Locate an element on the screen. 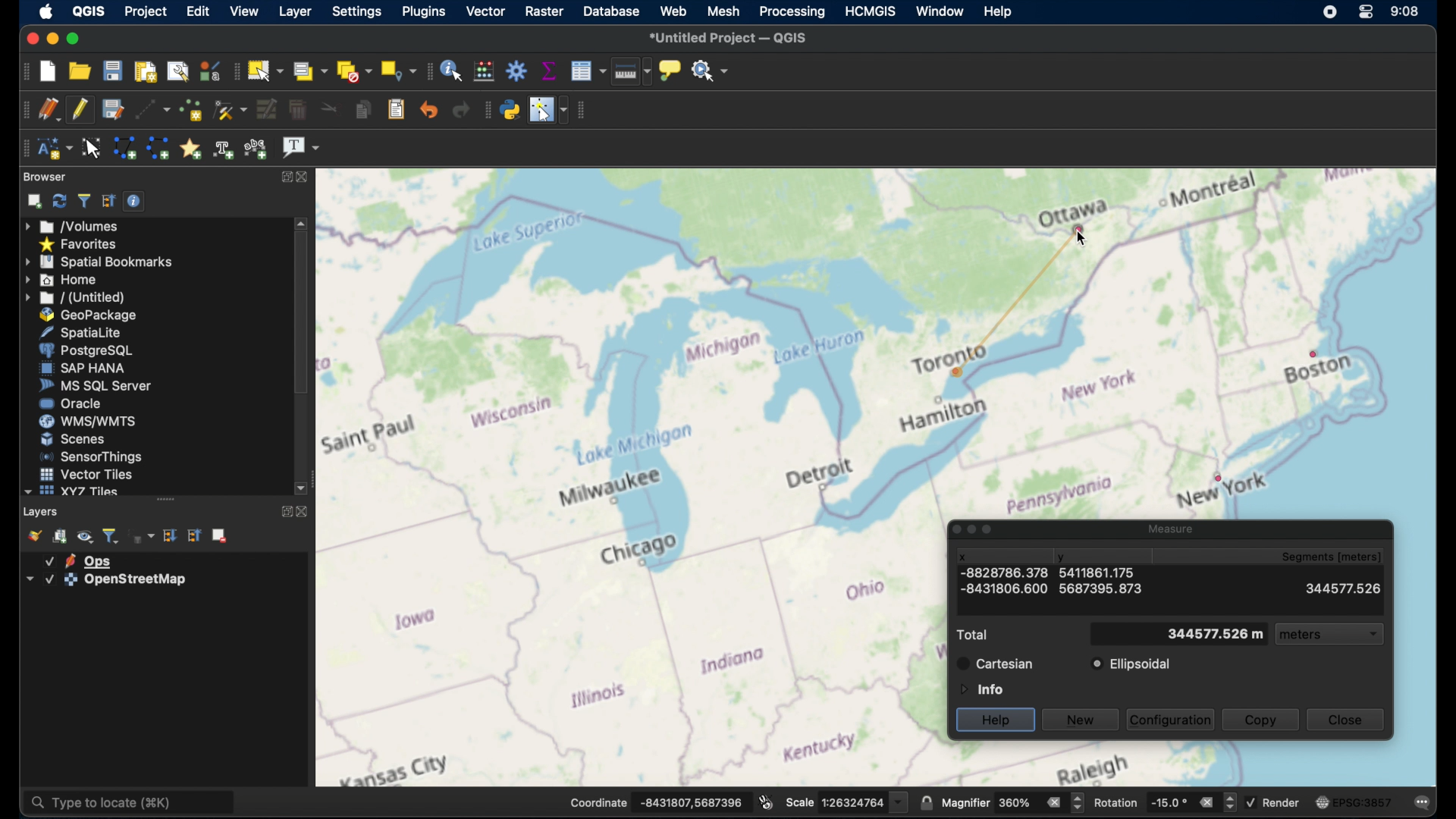 Image resolution: width=1456 pixels, height=819 pixels. add point features is located at coordinates (190, 109).